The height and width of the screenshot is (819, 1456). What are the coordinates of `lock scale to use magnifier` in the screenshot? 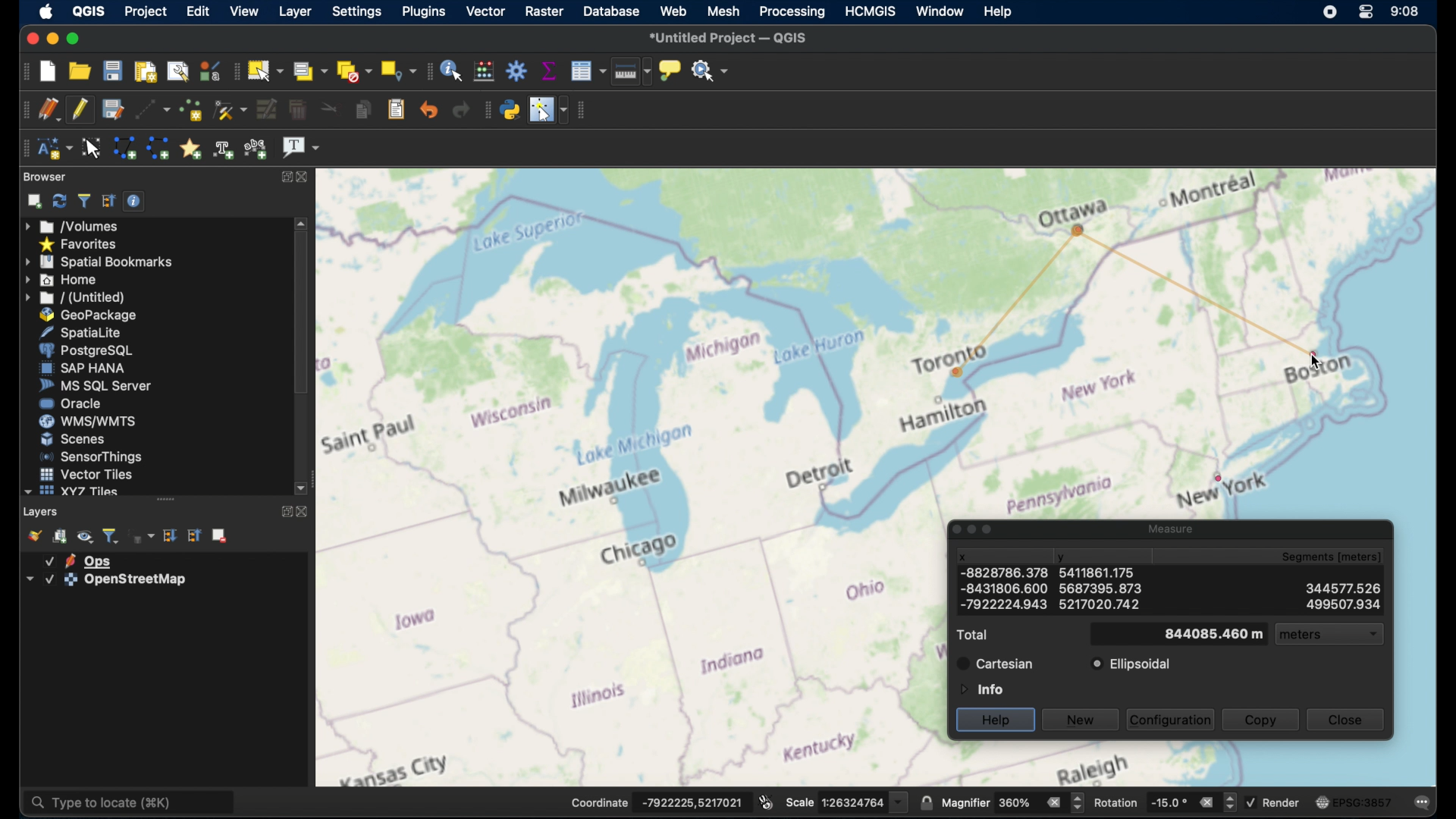 It's located at (926, 803).